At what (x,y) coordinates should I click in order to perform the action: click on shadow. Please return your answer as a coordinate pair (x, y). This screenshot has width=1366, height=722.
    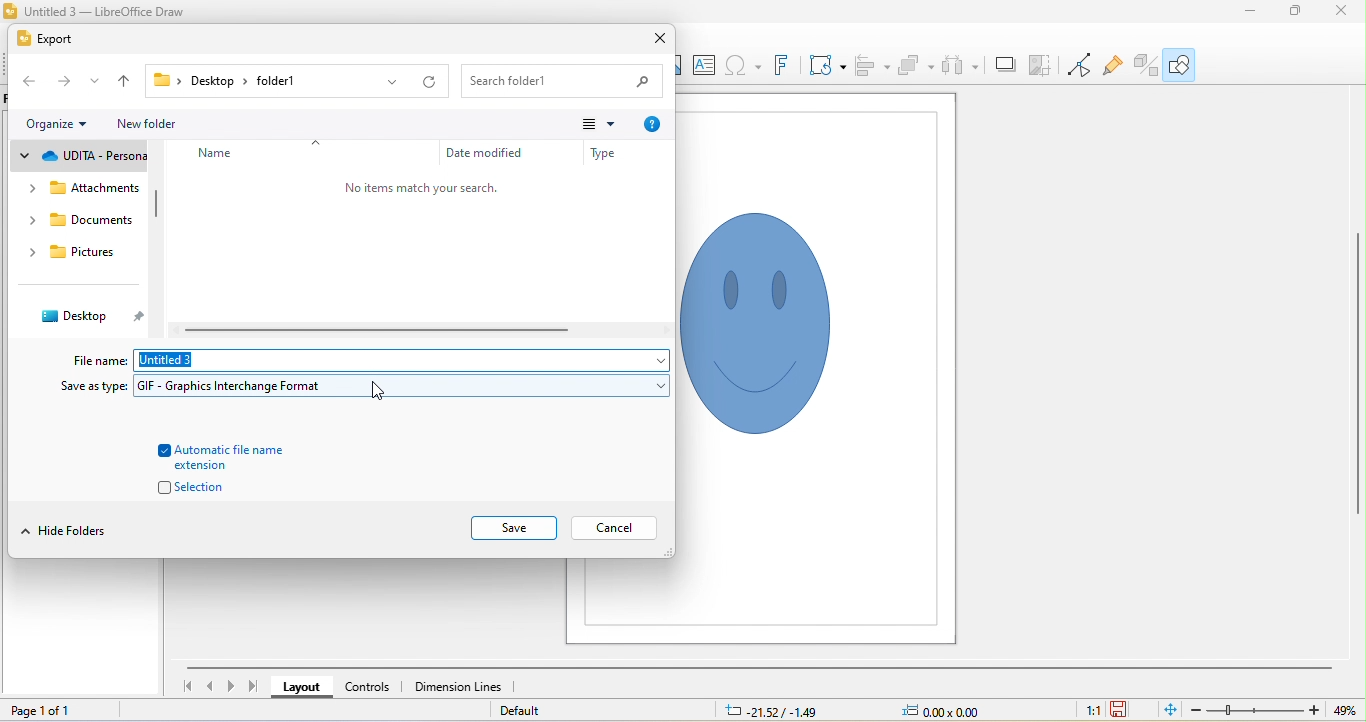
    Looking at the image, I should click on (1003, 63).